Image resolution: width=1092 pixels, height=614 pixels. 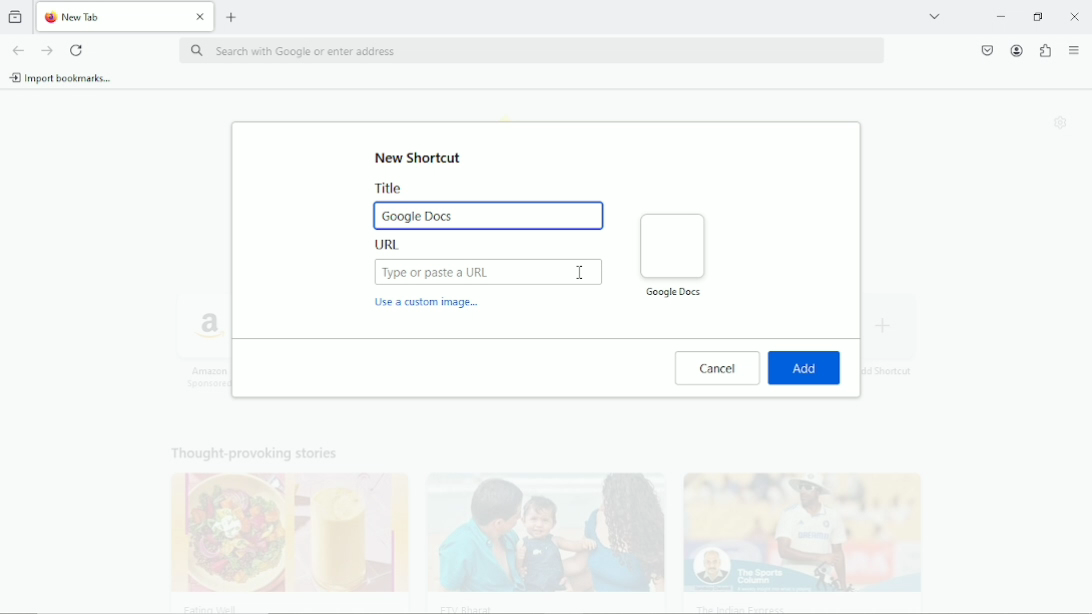 I want to click on Title: Google Docs, so click(x=488, y=205).